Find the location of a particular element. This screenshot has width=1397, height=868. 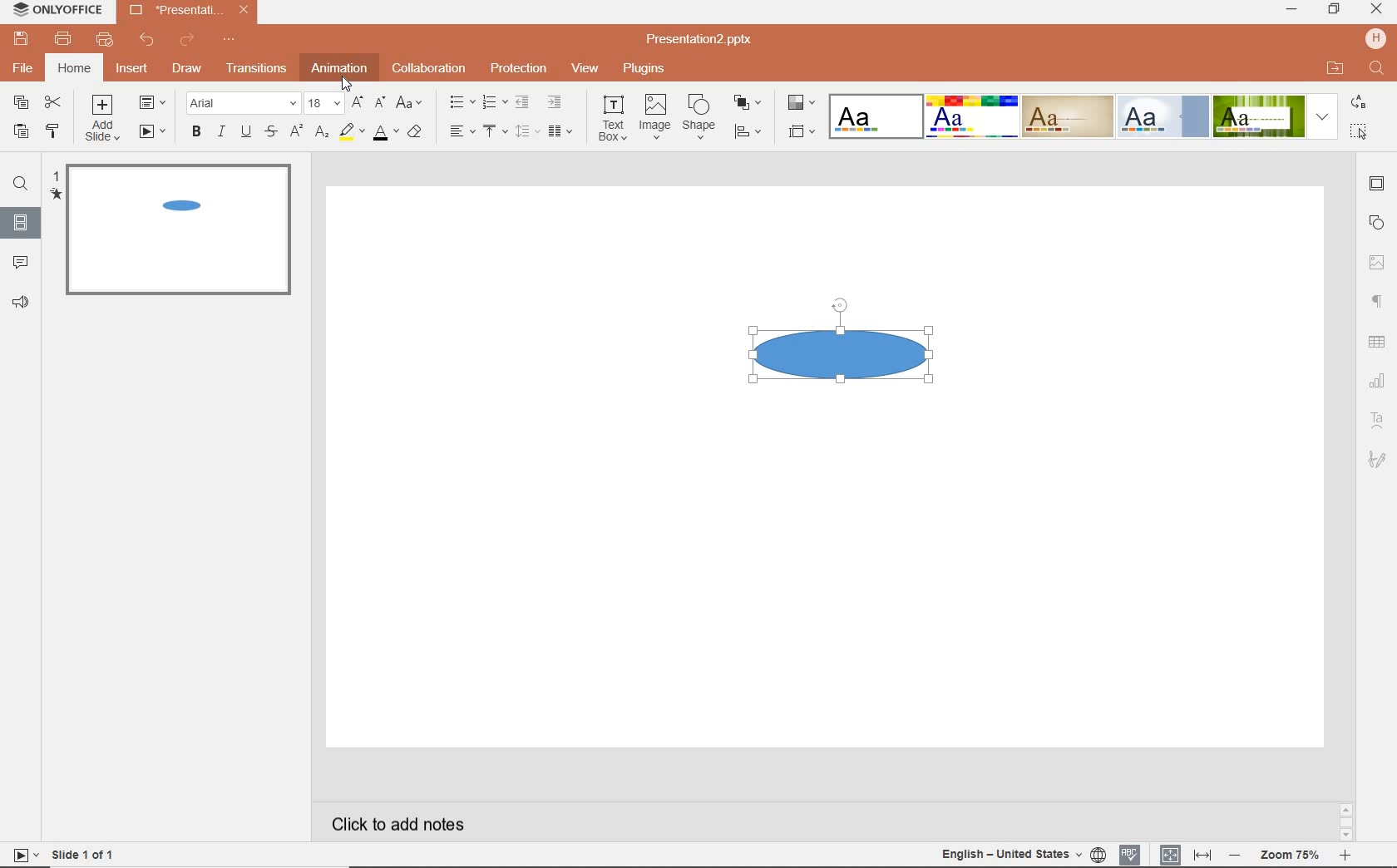

transitions is located at coordinates (256, 69).